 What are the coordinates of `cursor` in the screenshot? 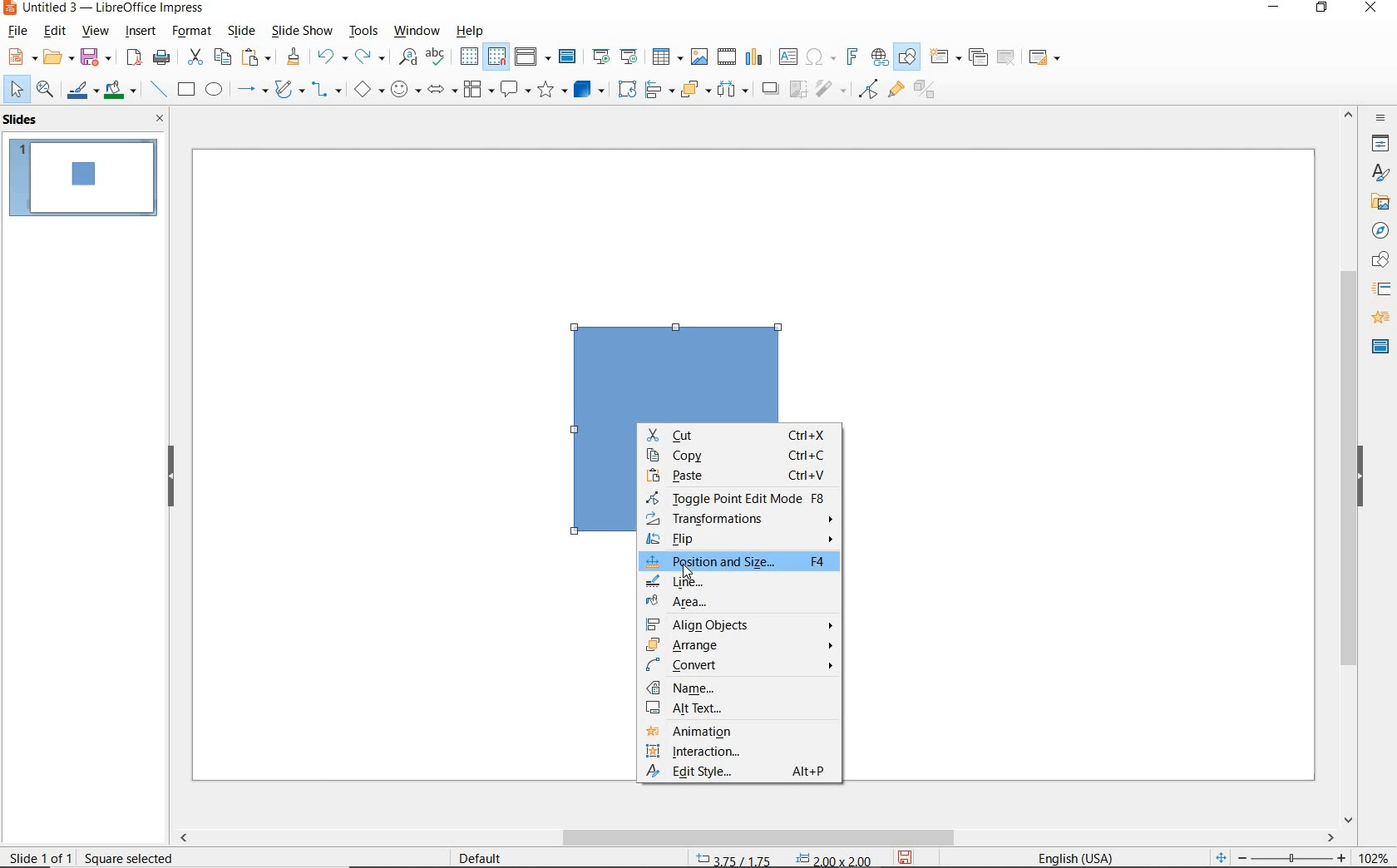 It's located at (688, 572).